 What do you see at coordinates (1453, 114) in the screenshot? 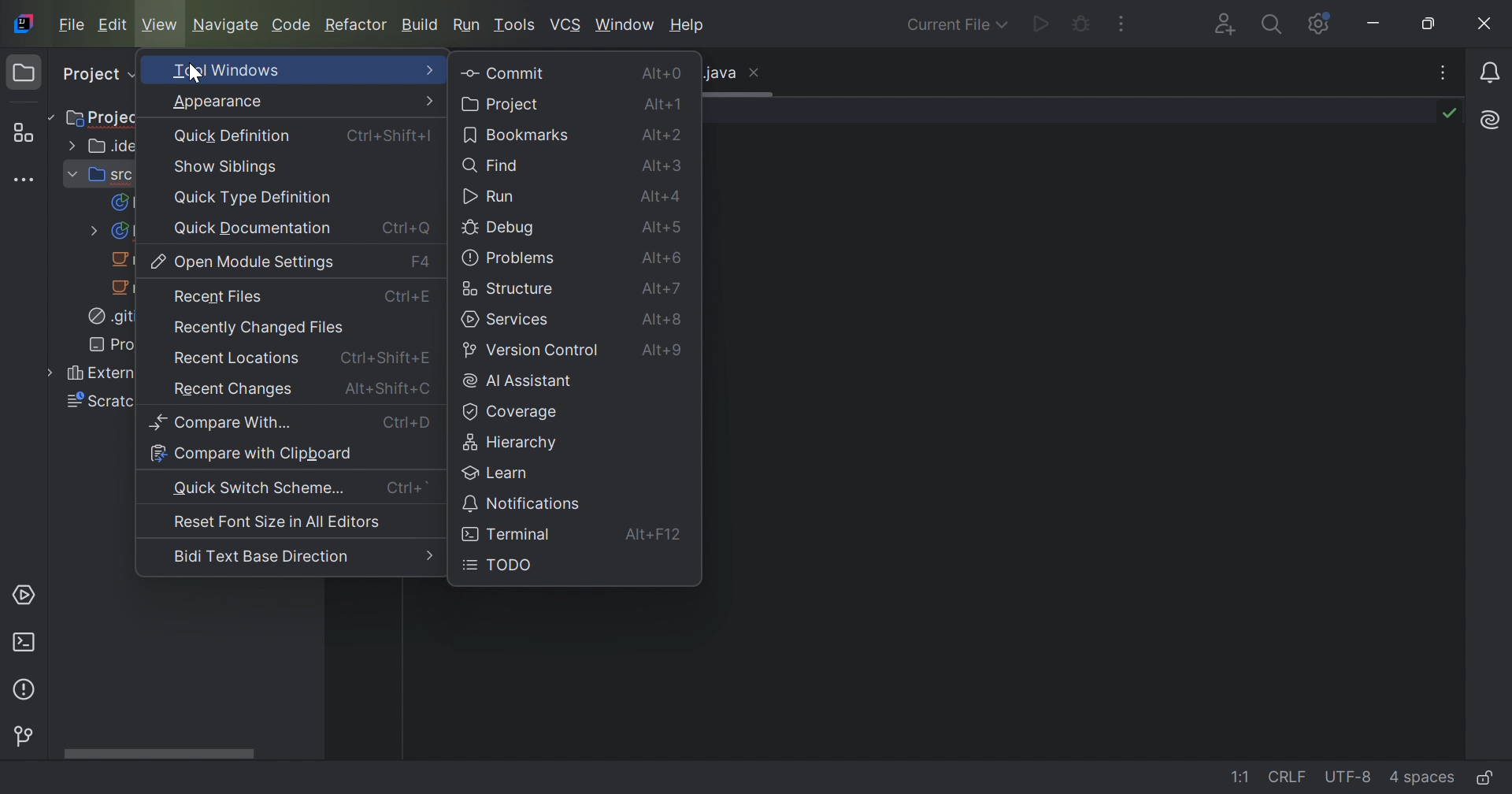
I see `No problems found` at bounding box center [1453, 114].